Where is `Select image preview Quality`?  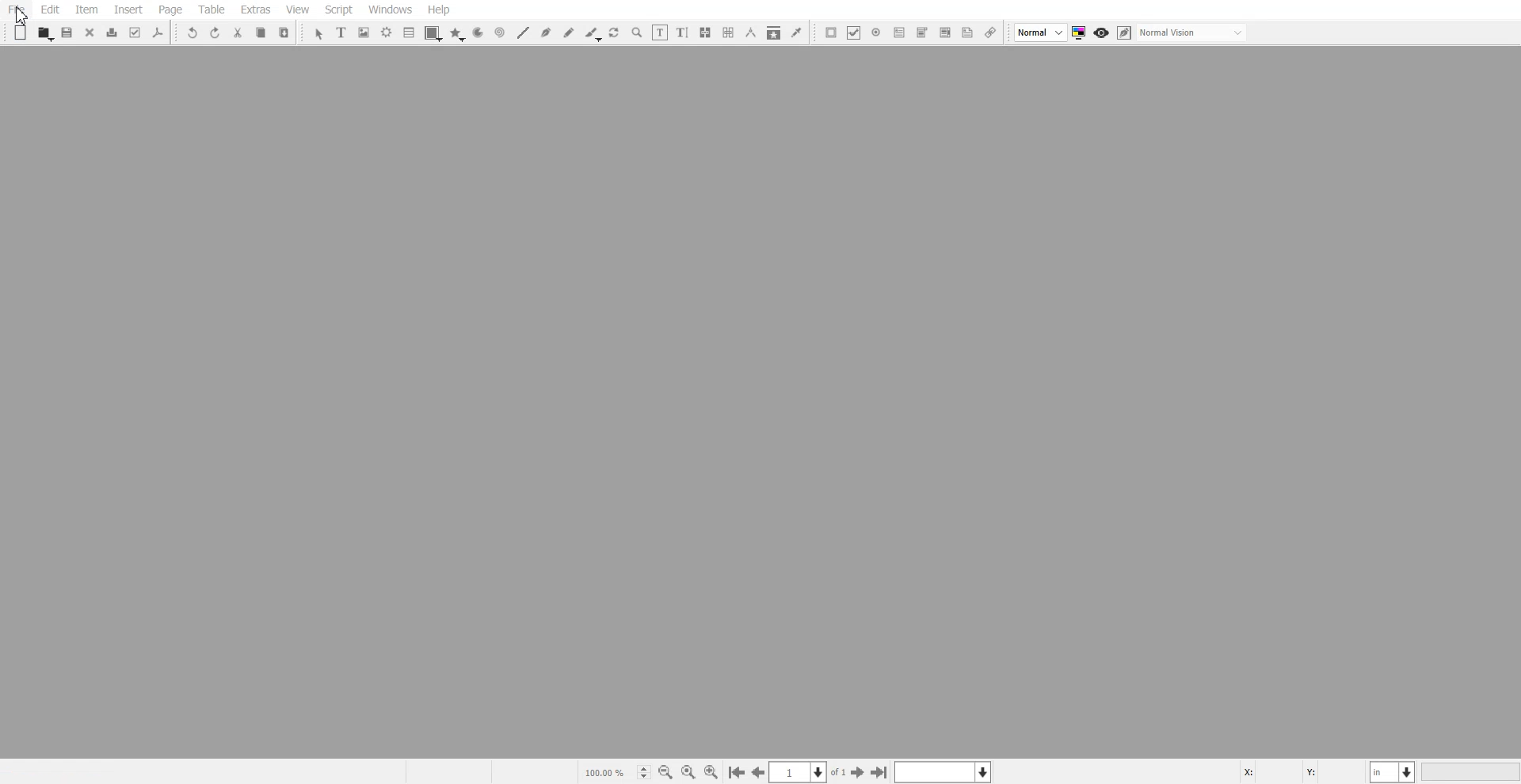 Select image preview Quality is located at coordinates (1041, 32).